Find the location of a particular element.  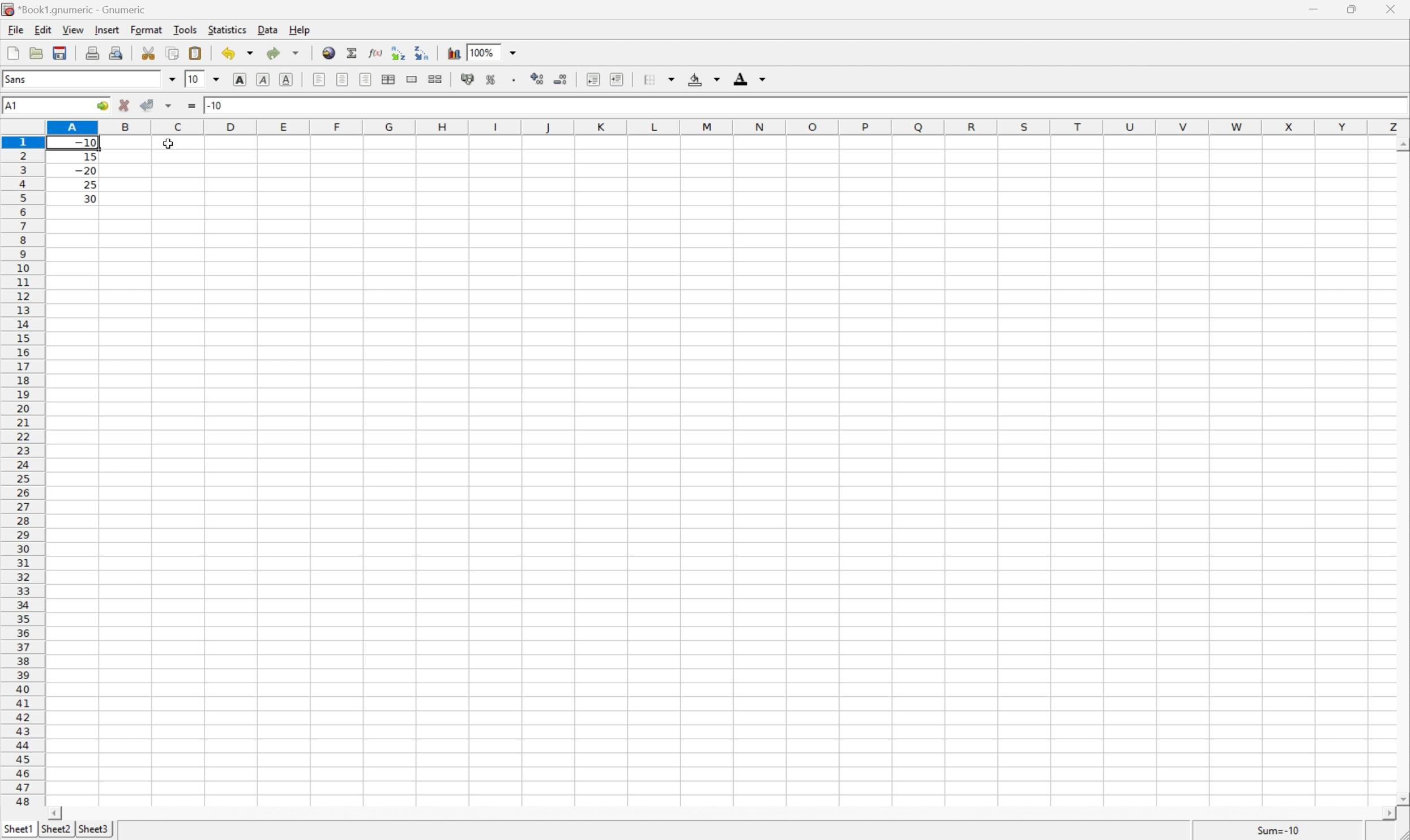

Sans is located at coordinates (19, 79).